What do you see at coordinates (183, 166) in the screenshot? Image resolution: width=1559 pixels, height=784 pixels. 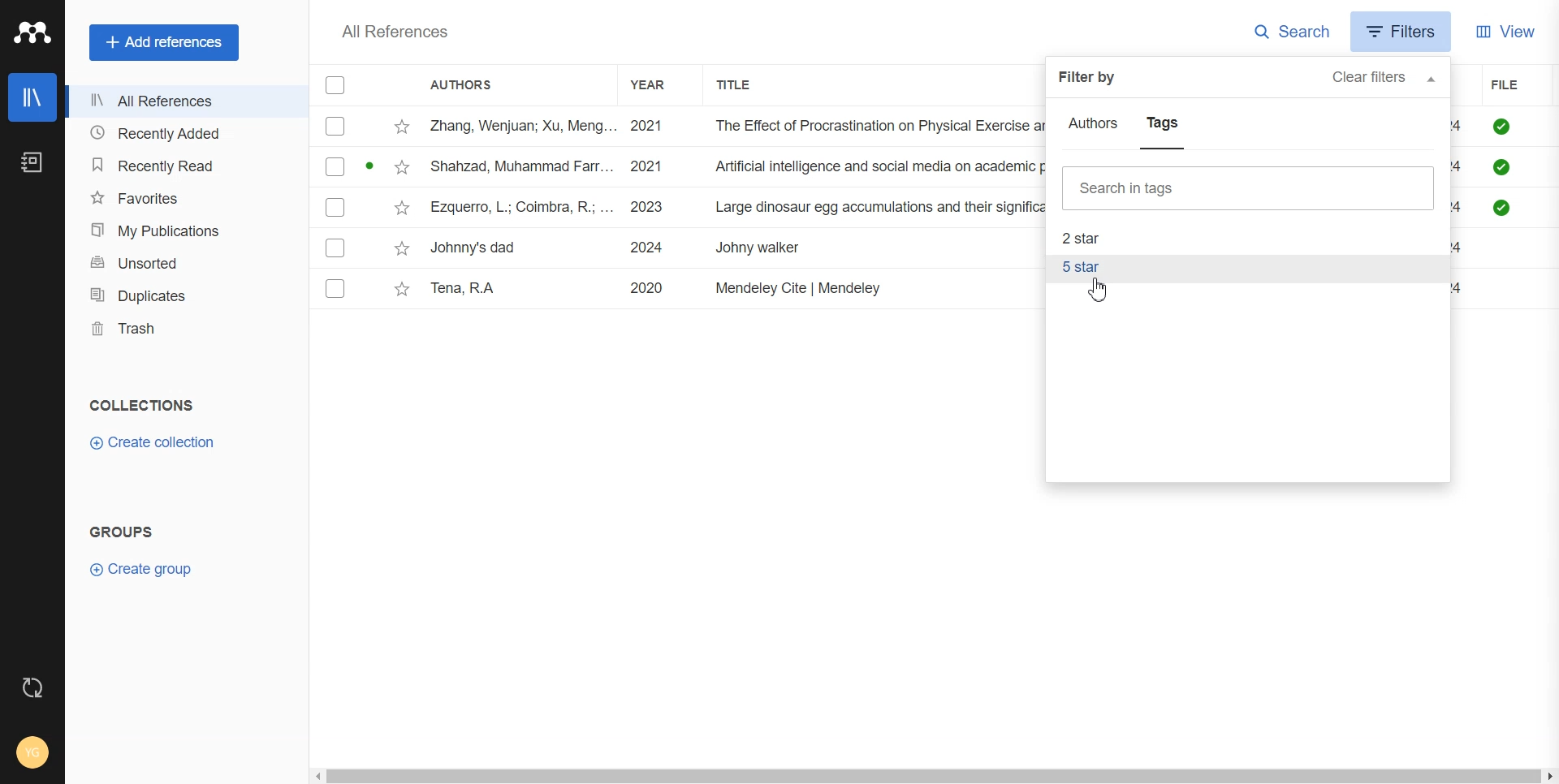 I see `Recently Read` at bounding box center [183, 166].